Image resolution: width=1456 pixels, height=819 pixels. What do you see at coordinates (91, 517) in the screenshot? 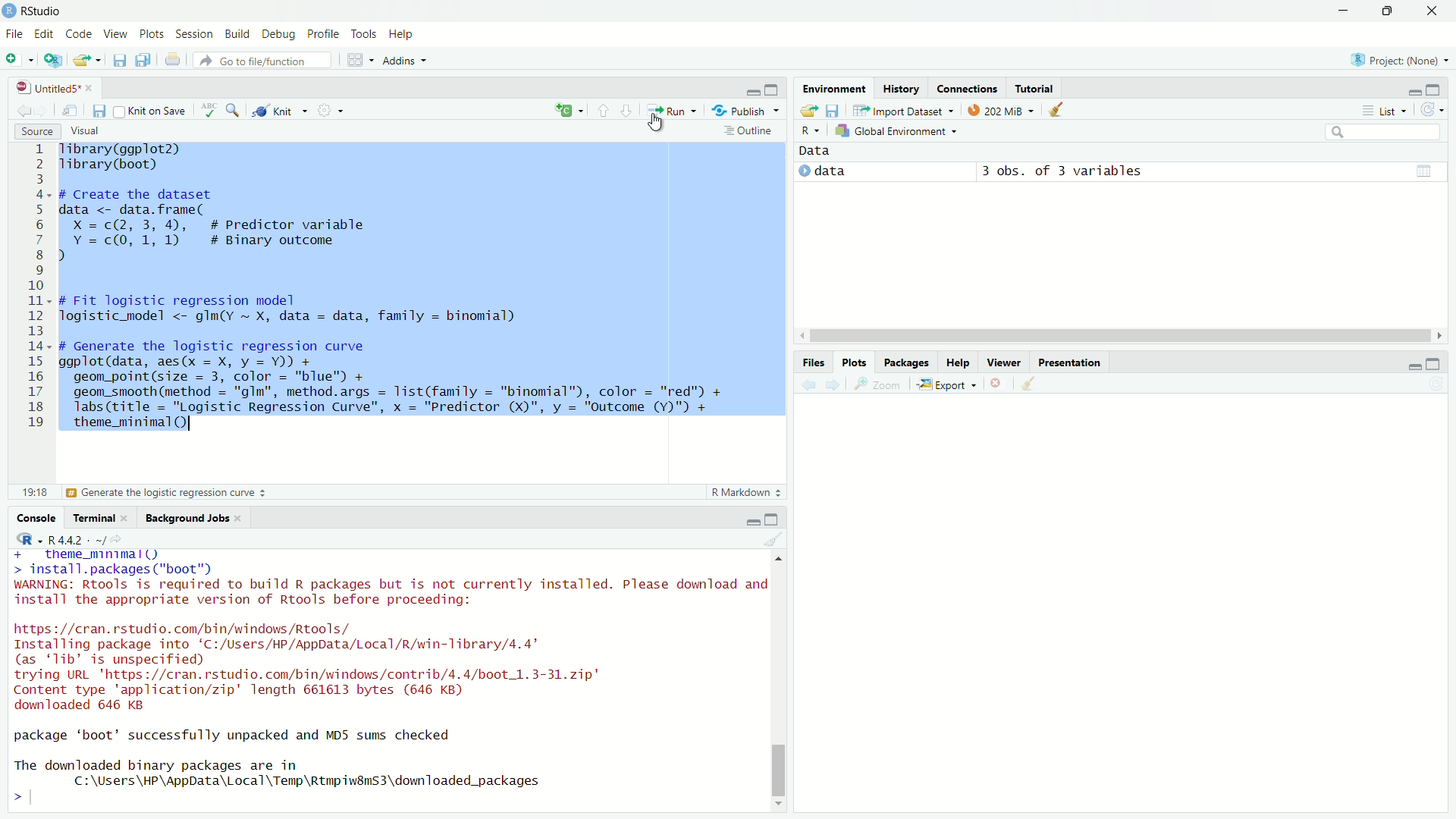
I see `Terminal` at bounding box center [91, 517].